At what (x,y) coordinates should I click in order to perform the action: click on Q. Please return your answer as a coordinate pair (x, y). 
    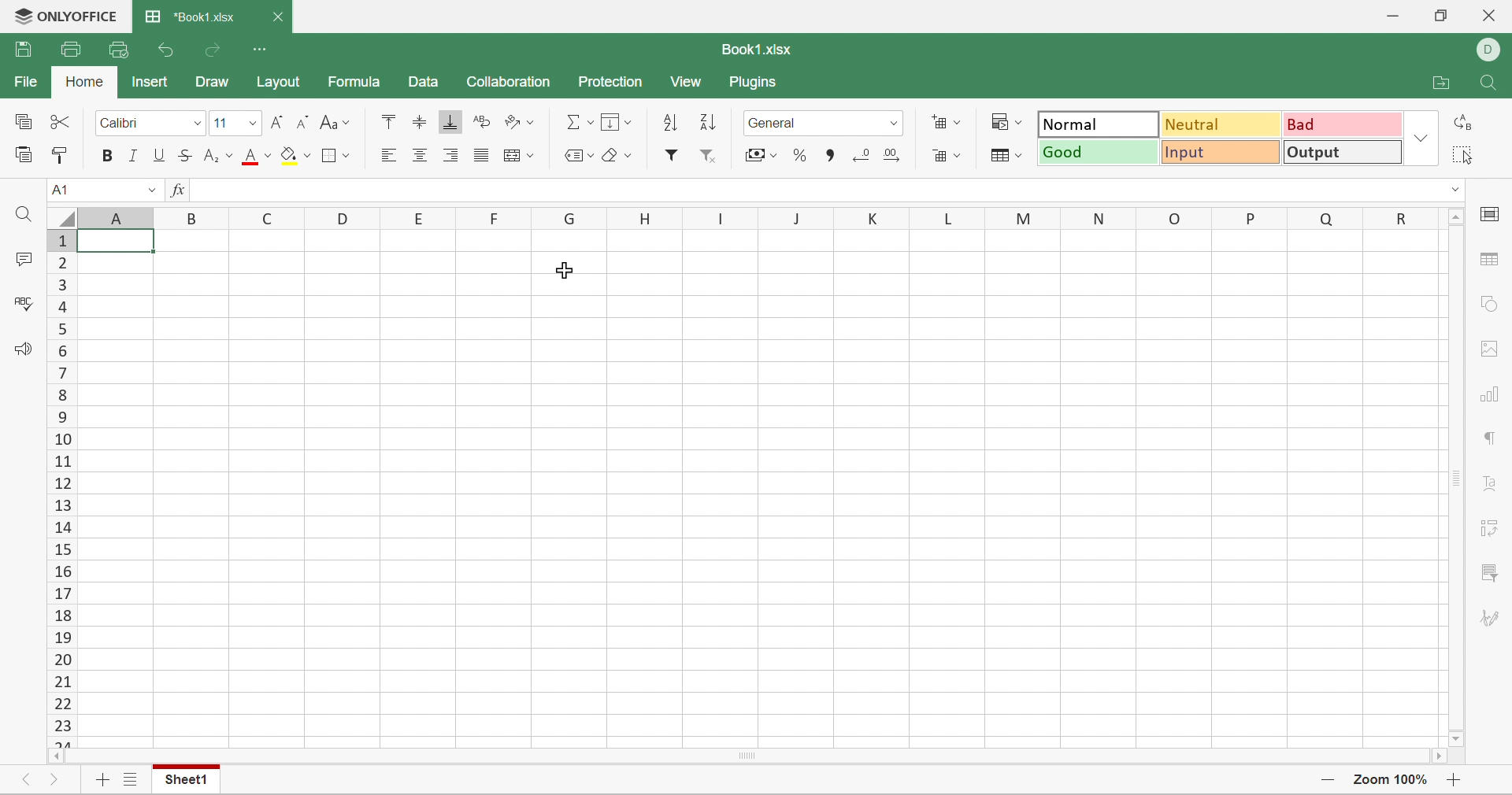
    Looking at the image, I should click on (1327, 216).